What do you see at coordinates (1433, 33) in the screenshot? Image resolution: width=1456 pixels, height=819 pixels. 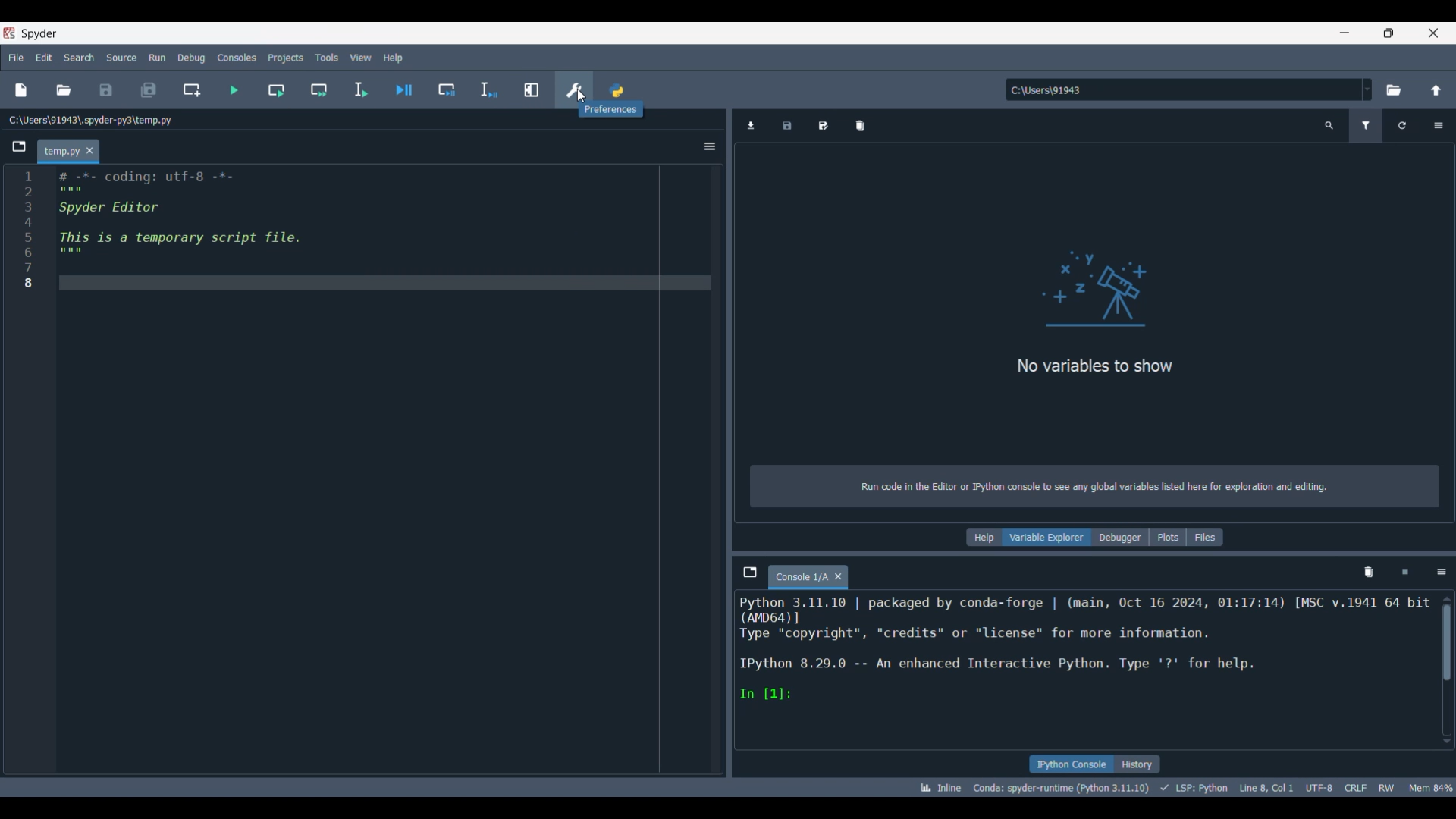 I see `Close` at bounding box center [1433, 33].